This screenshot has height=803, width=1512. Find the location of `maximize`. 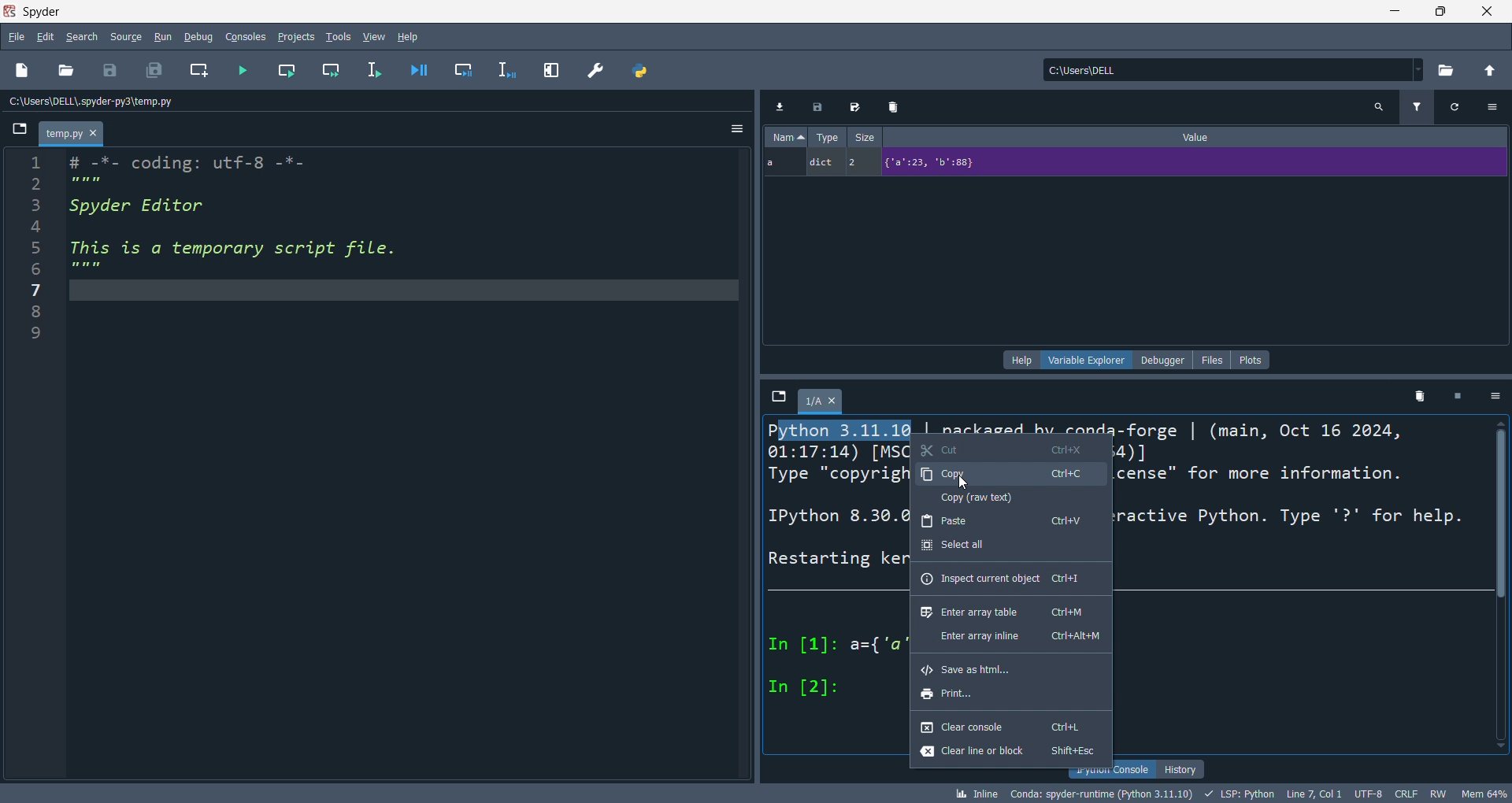

maximize is located at coordinates (1433, 13).